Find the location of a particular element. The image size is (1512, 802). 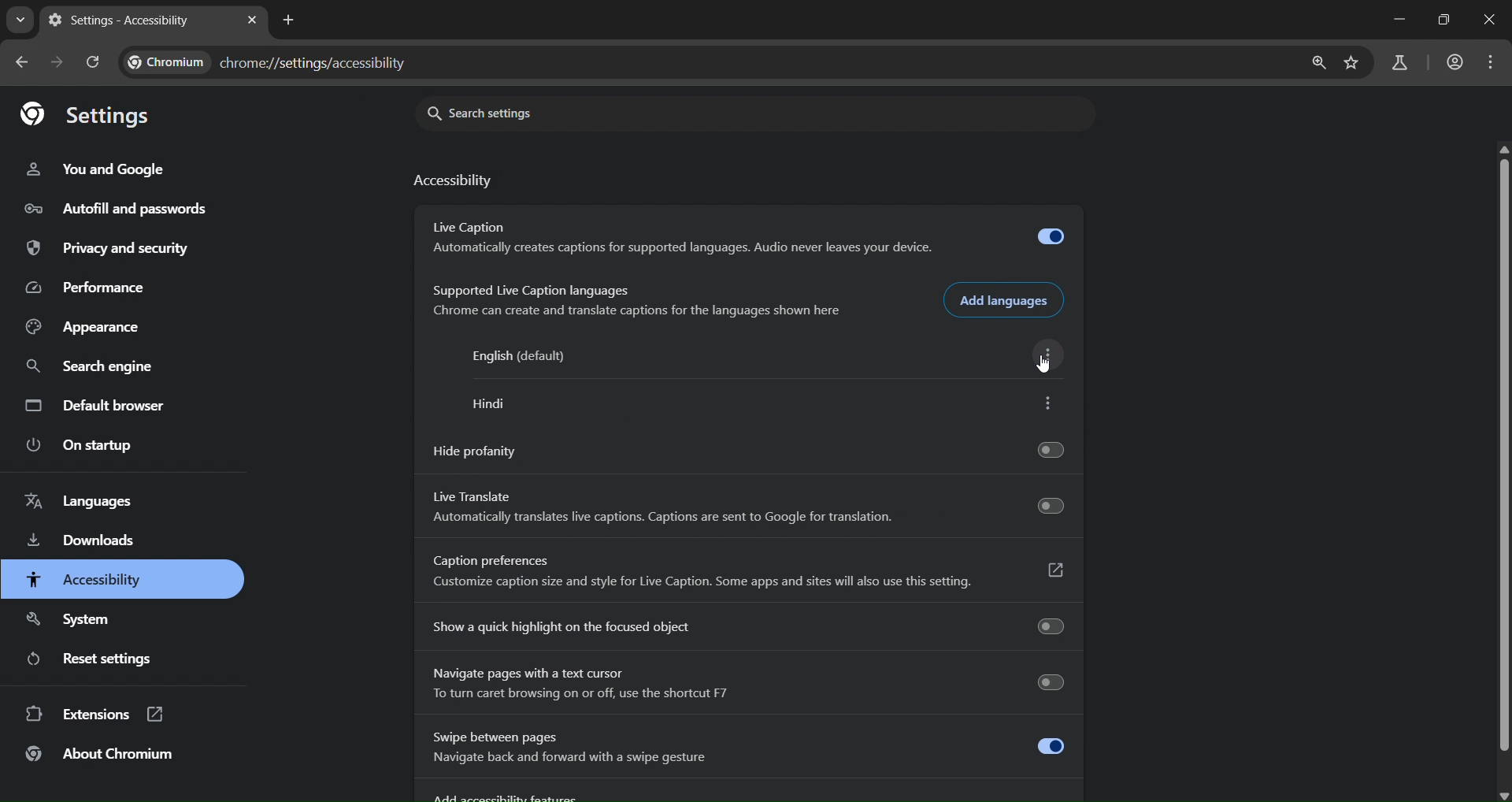

go forward one page is located at coordinates (60, 65).